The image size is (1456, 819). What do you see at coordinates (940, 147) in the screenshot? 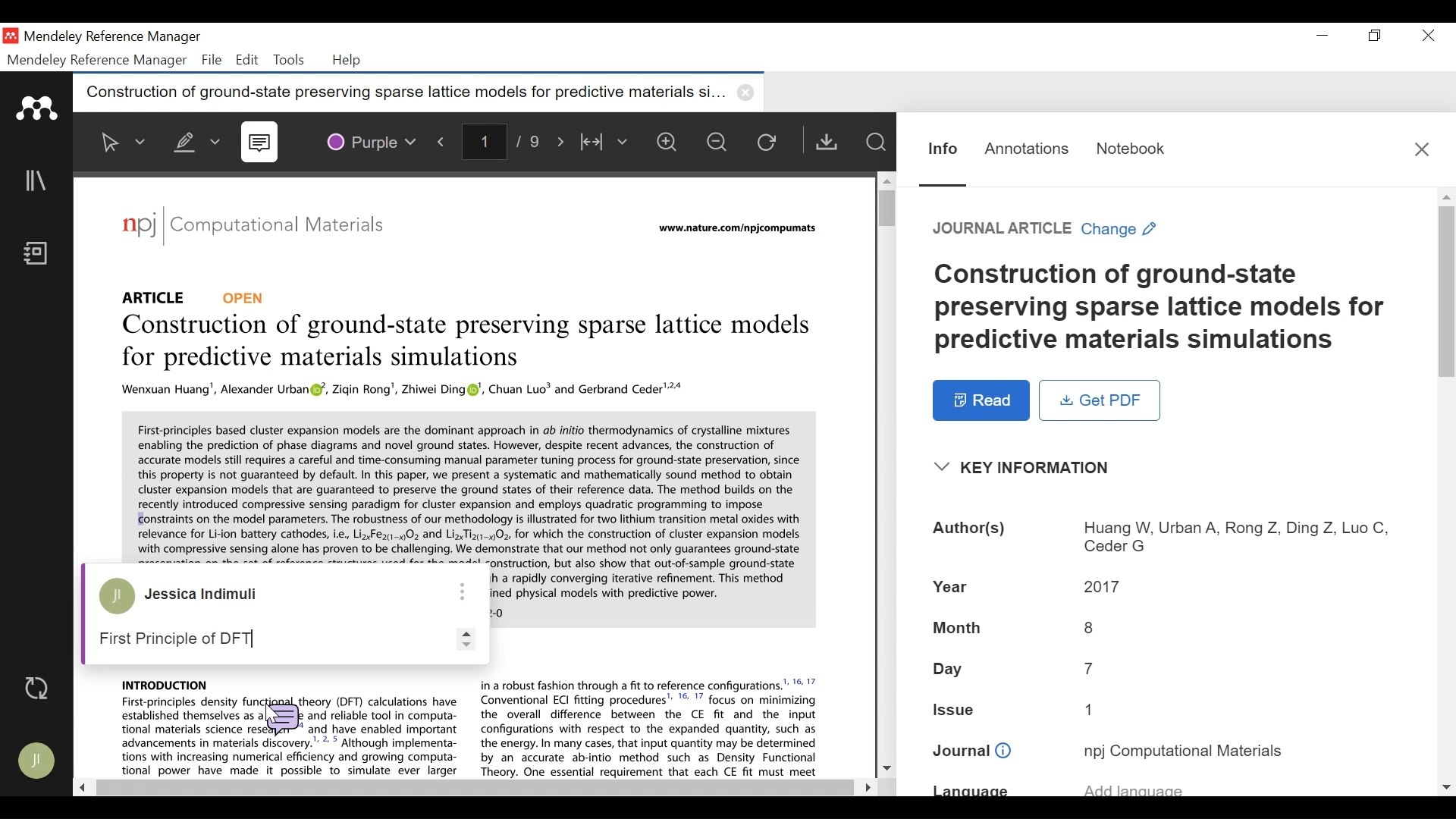
I see `Information` at bounding box center [940, 147].